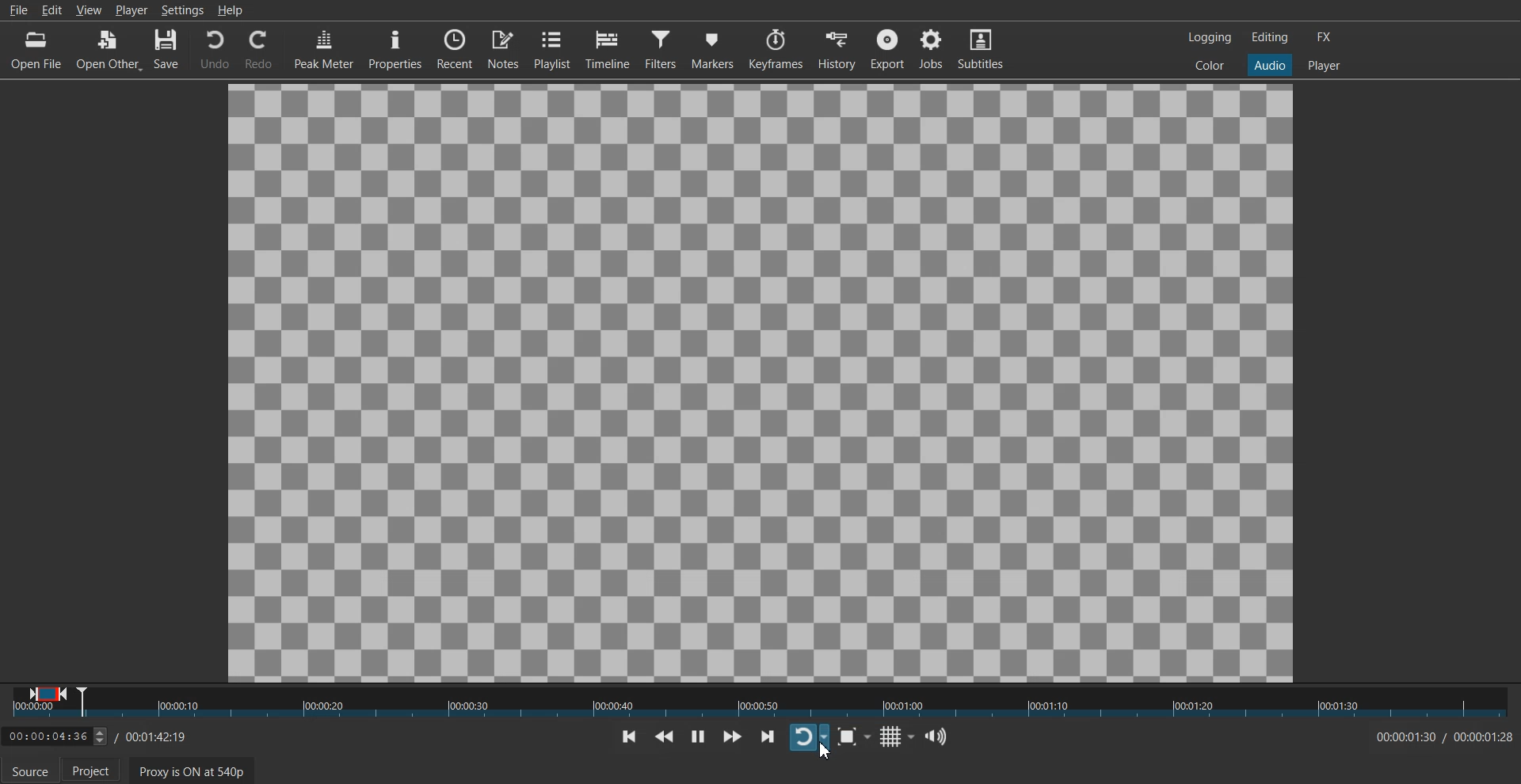 This screenshot has width=1521, height=784. I want to click on Logging, so click(1209, 36).